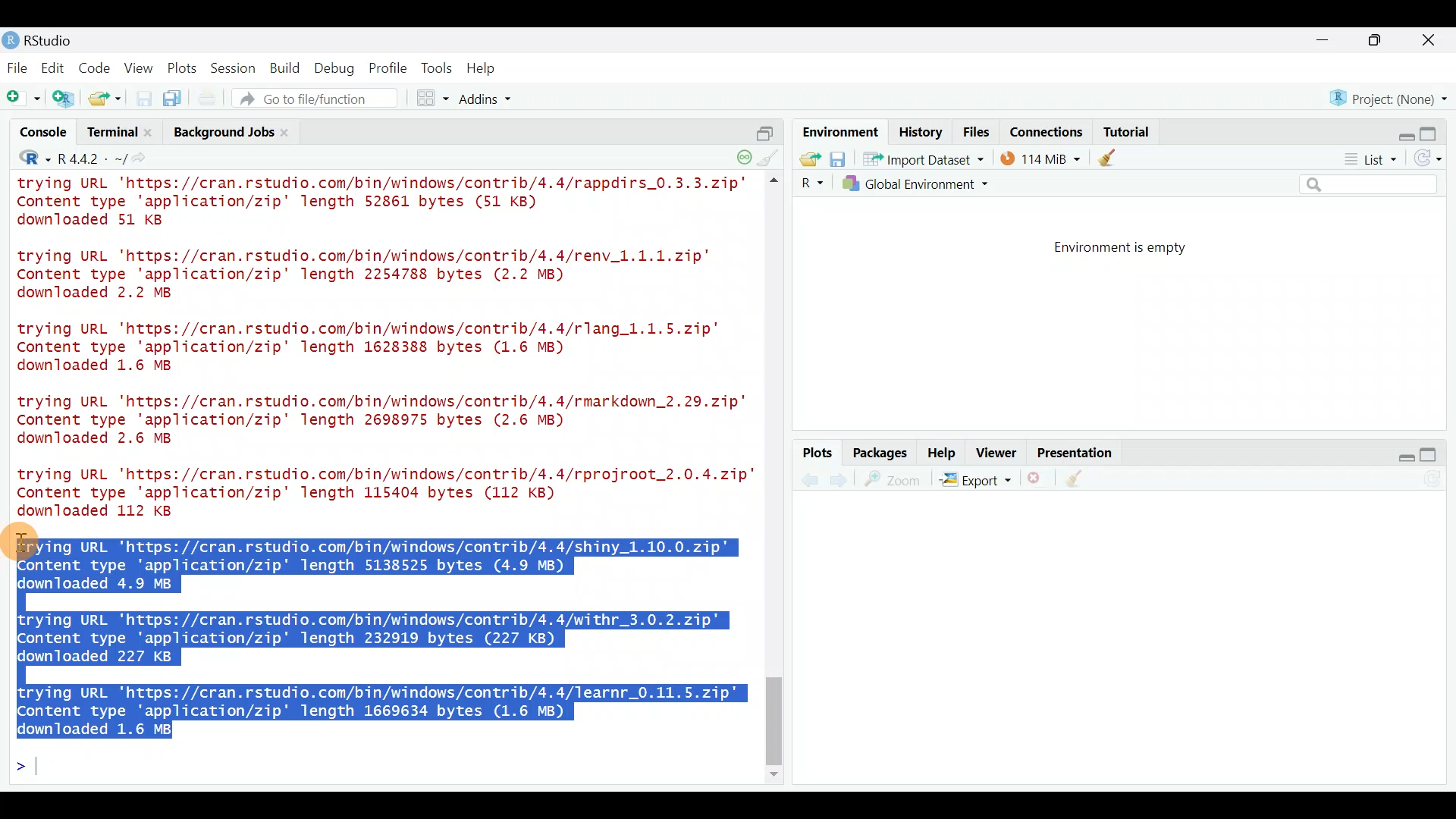 Image resolution: width=1456 pixels, height=819 pixels. What do you see at coordinates (45, 134) in the screenshot?
I see `Console` at bounding box center [45, 134].